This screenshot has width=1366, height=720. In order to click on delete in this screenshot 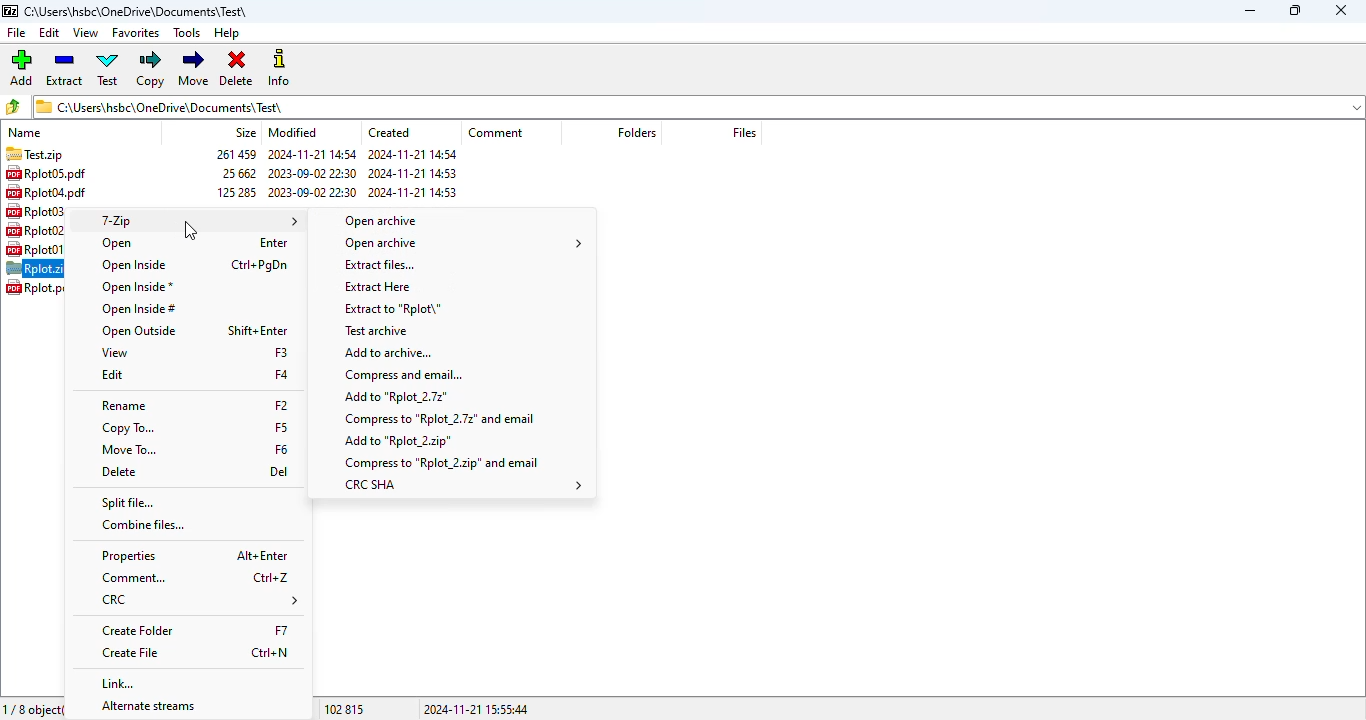, I will do `click(237, 68)`.